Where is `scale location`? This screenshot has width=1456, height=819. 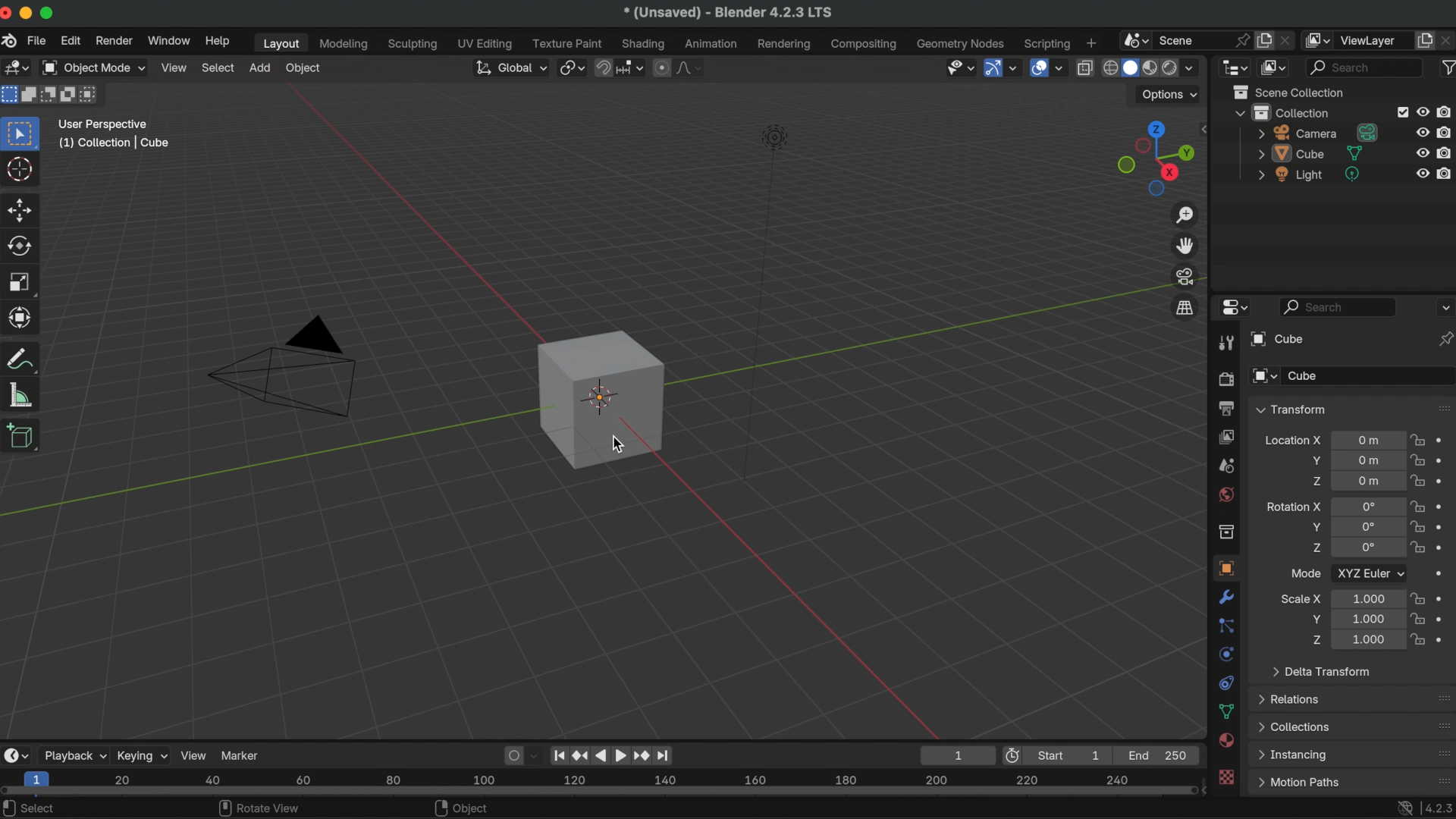
scale location is located at coordinates (1366, 640).